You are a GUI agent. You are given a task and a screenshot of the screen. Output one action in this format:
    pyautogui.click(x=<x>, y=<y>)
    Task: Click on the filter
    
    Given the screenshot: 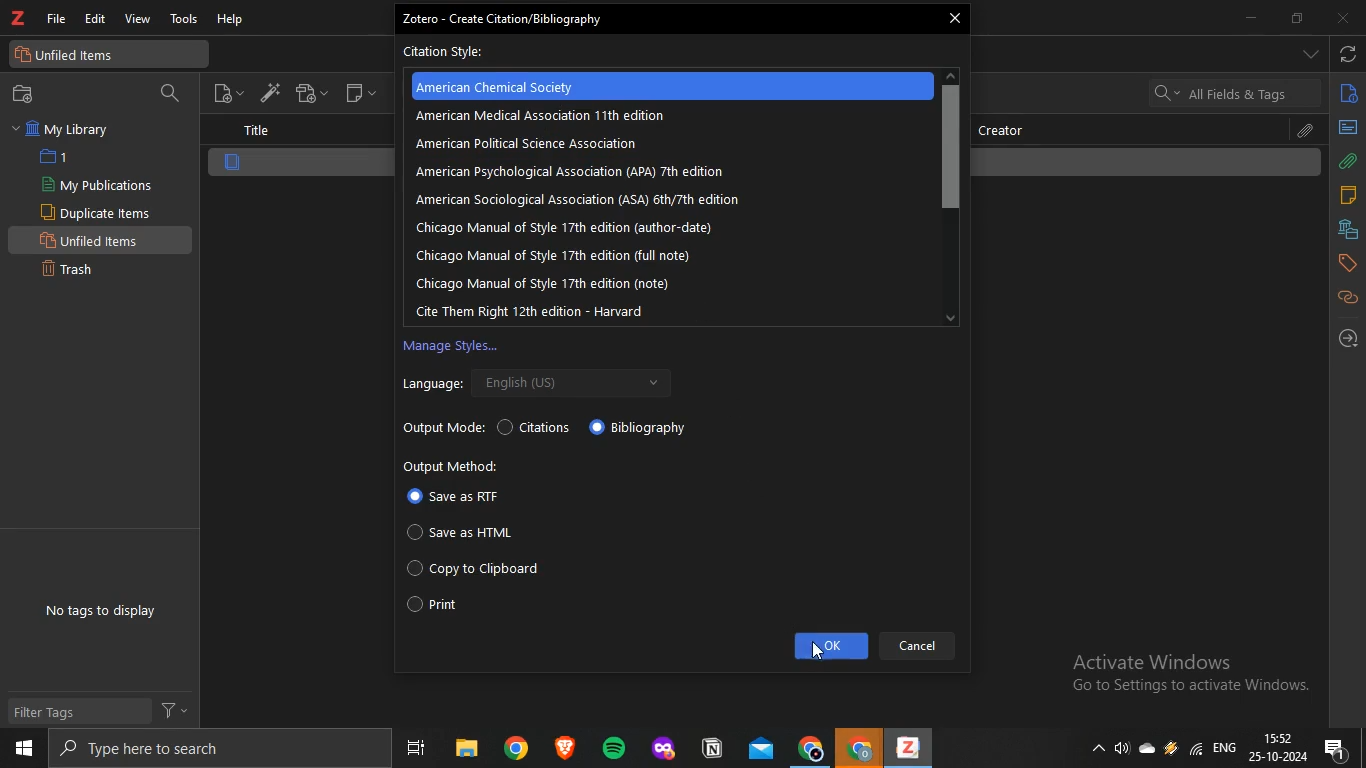 What is the action you would take?
    pyautogui.click(x=177, y=709)
    